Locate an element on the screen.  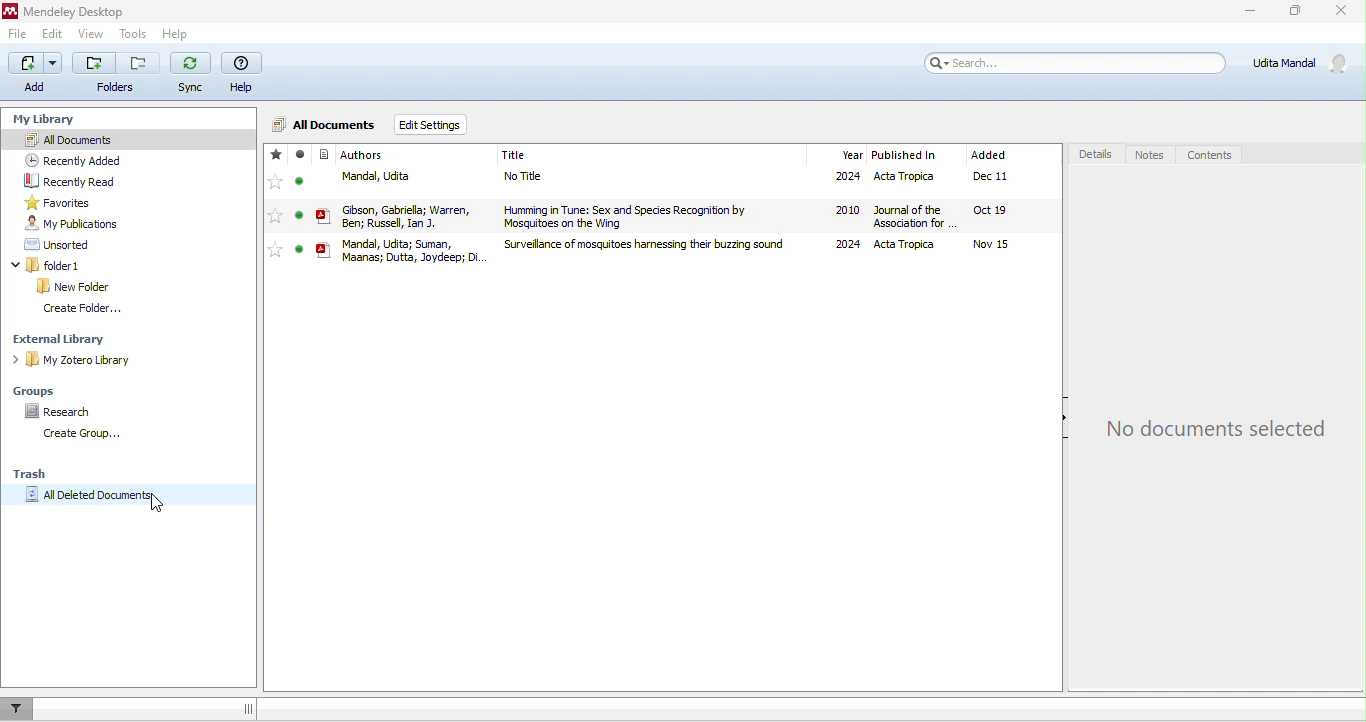
favorites is located at coordinates (59, 203).